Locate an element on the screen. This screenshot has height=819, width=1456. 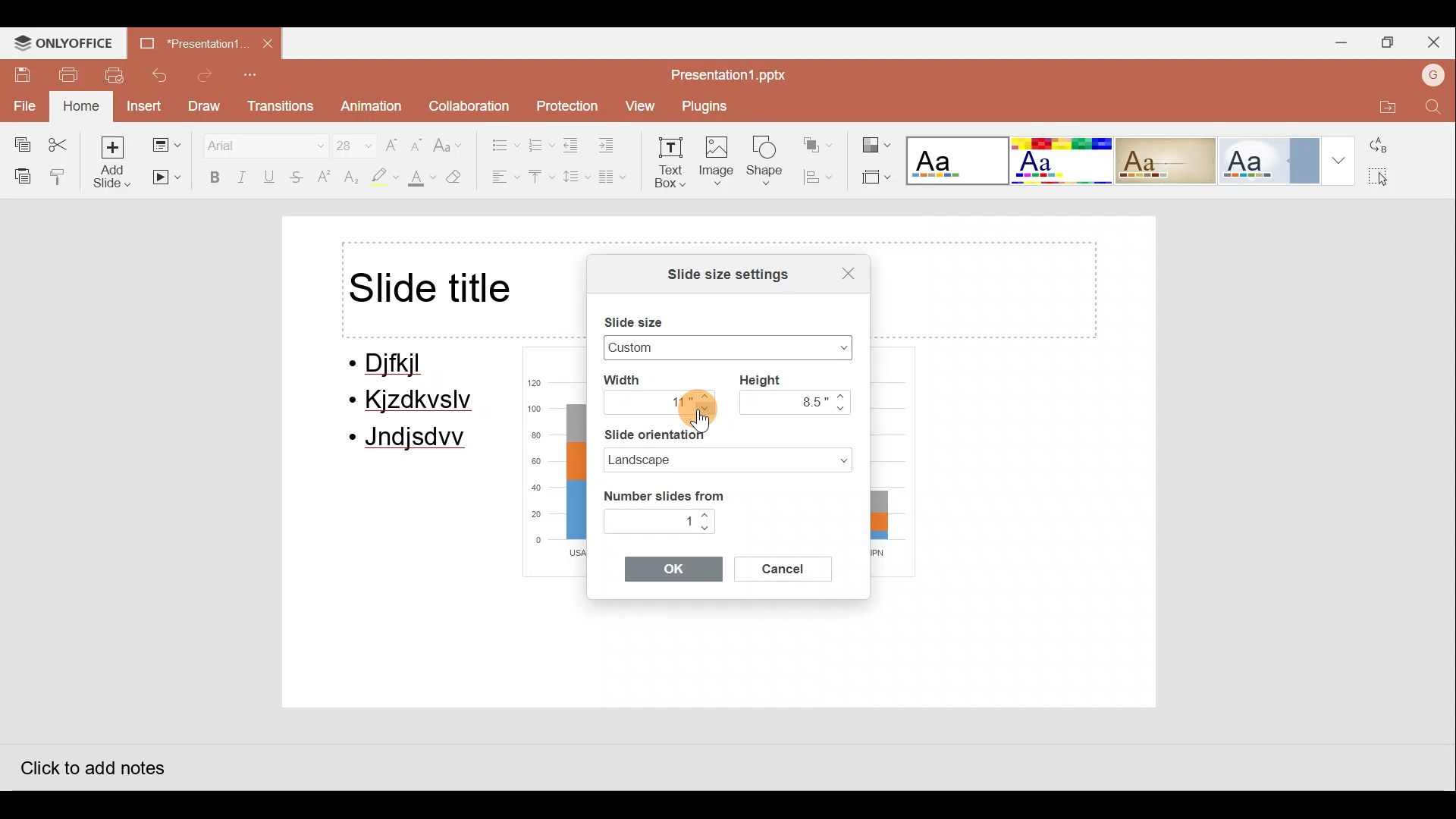
Fill colour is located at coordinates (419, 180).